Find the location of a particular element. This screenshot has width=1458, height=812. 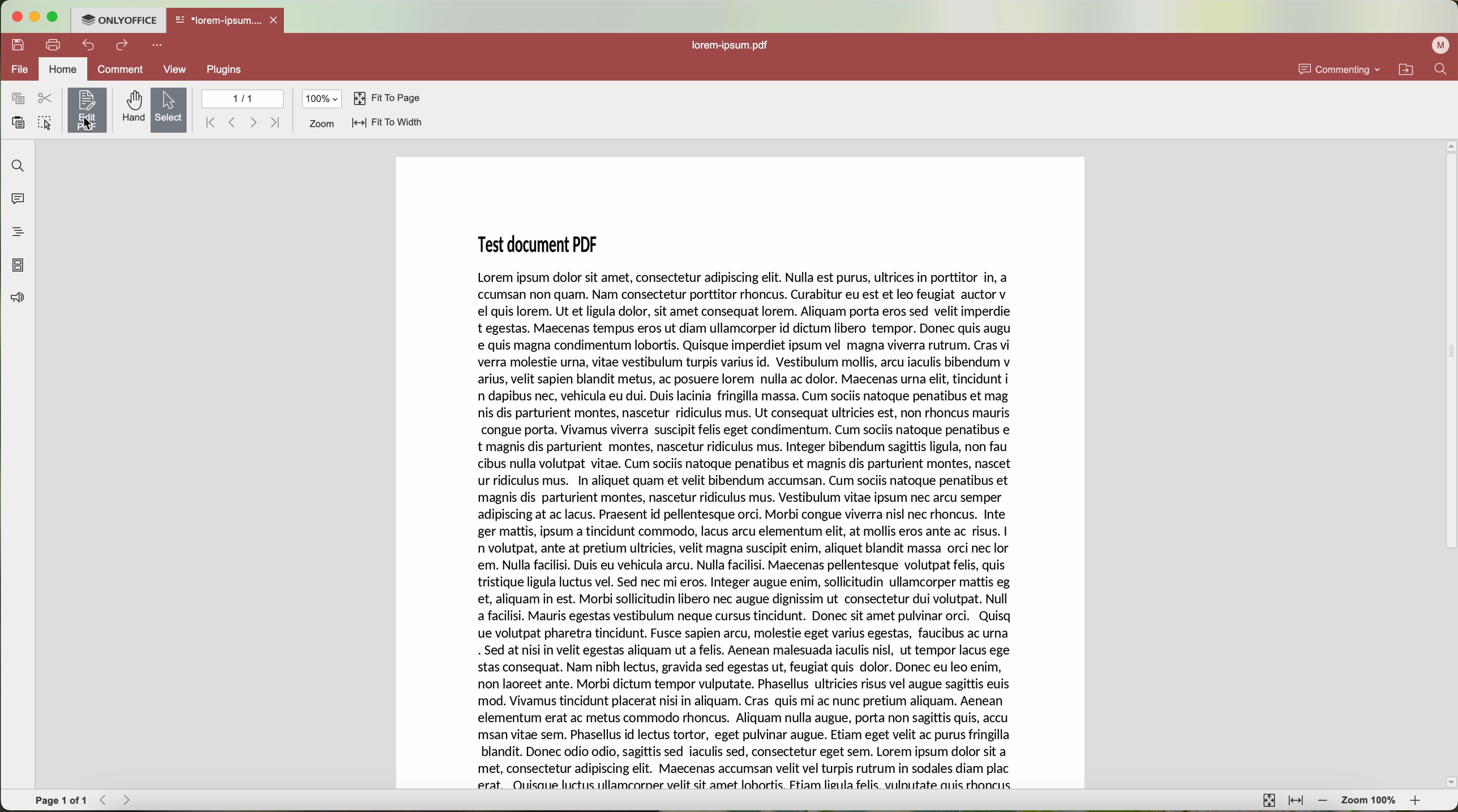

print is located at coordinates (56, 45).